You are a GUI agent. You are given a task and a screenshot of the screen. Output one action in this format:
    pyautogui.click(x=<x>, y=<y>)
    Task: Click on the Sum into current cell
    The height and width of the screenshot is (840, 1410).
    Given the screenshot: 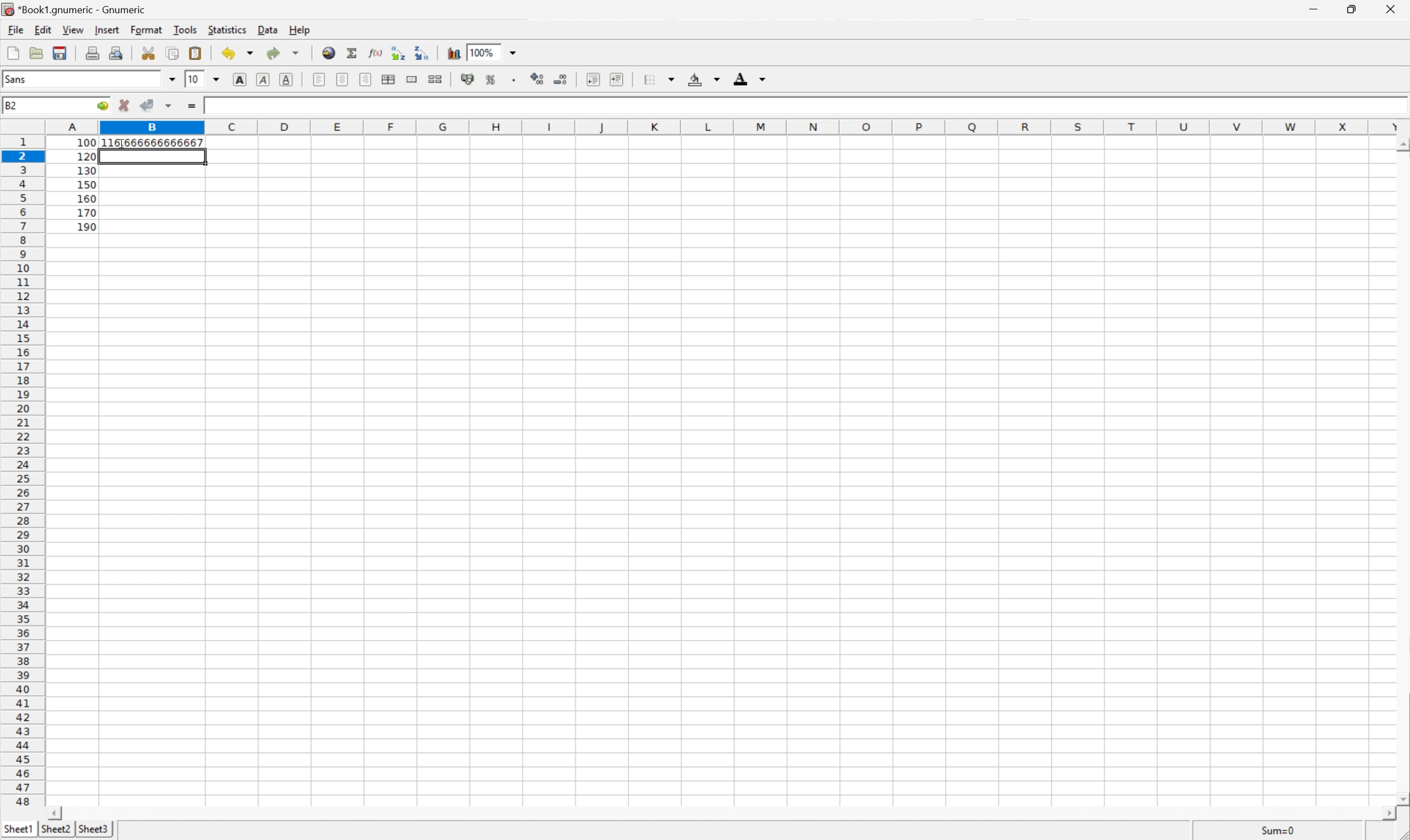 What is the action you would take?
    pyautogui.click(x=350, y=52)
    